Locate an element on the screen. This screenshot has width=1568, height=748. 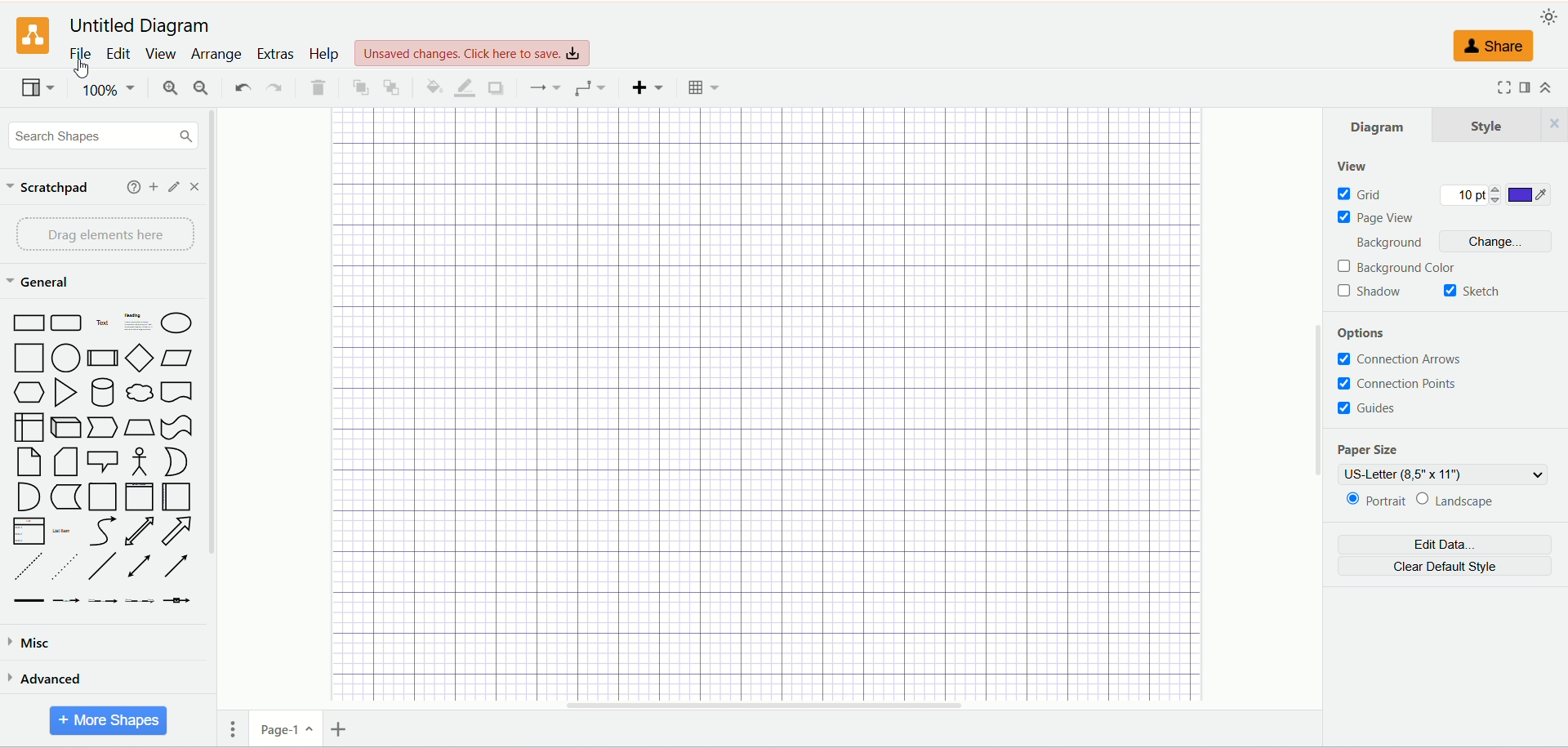
Process is located at coordinates (104, 361).